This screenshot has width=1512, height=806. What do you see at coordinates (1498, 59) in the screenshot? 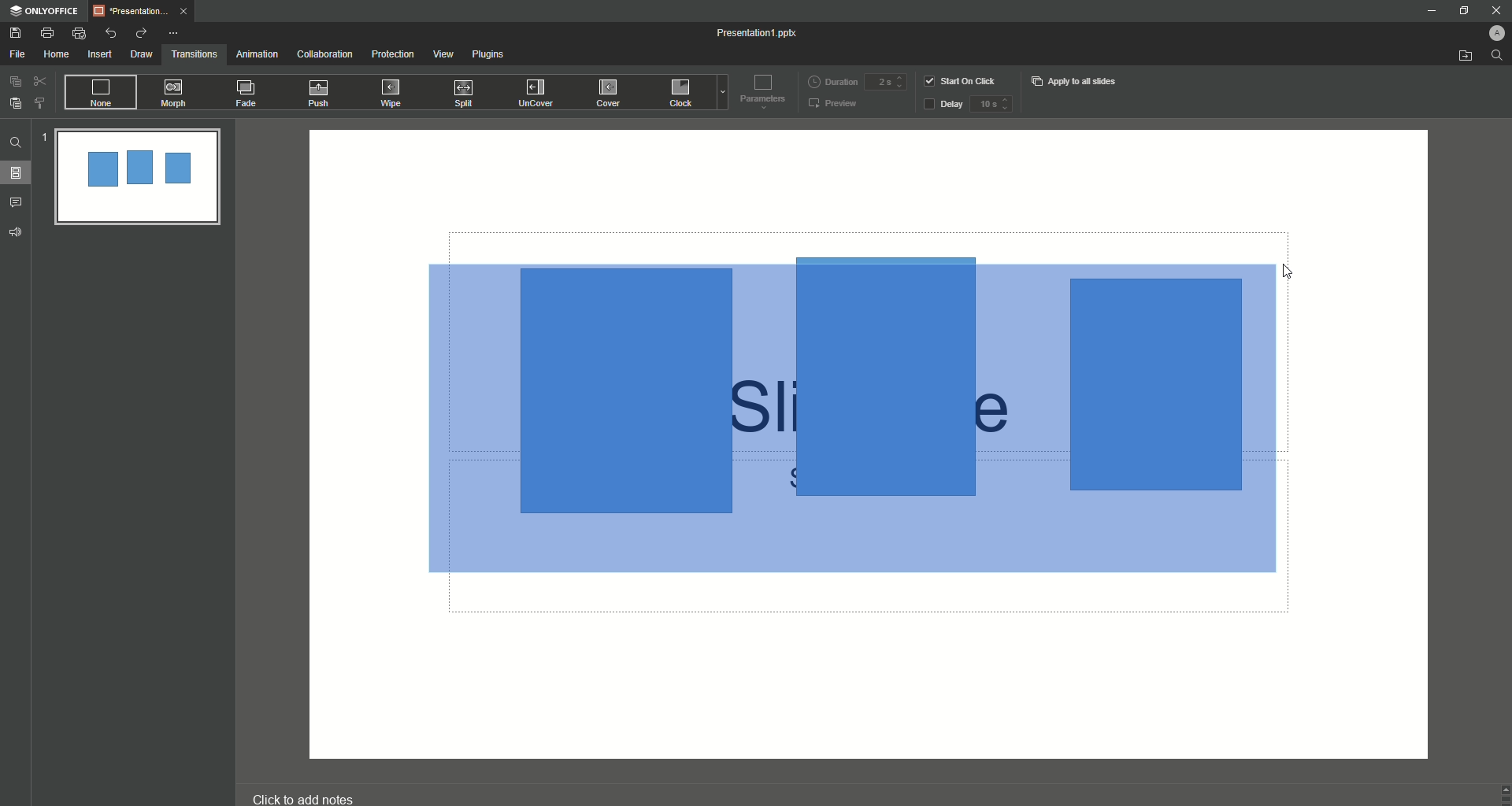
I see `search` at bounding box center [1498, 59].